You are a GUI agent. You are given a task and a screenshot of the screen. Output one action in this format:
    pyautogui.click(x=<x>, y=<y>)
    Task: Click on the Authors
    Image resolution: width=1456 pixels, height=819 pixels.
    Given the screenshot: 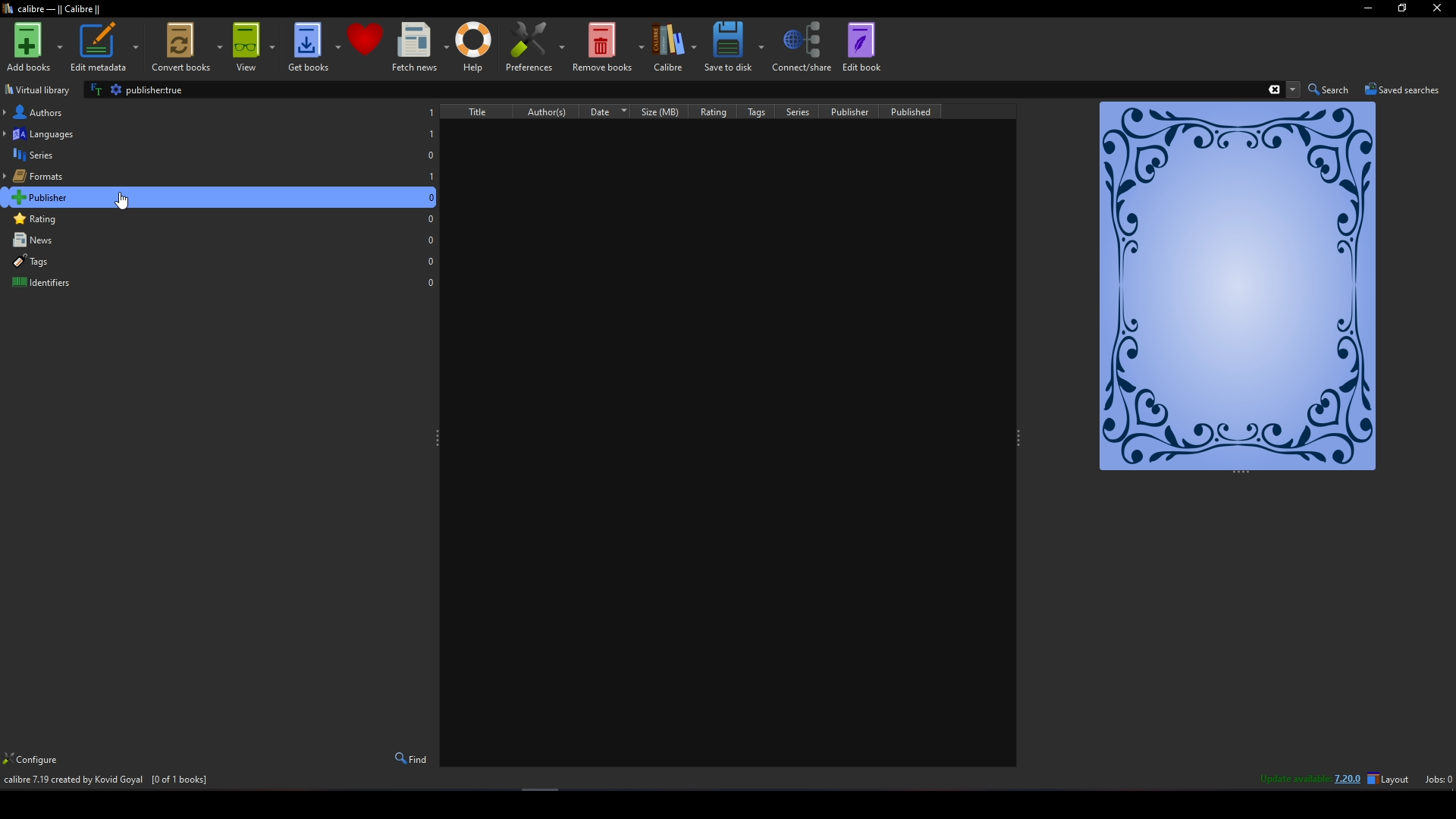 What is the action you would take?
    pyautogui.click(x=221, y=111)
    